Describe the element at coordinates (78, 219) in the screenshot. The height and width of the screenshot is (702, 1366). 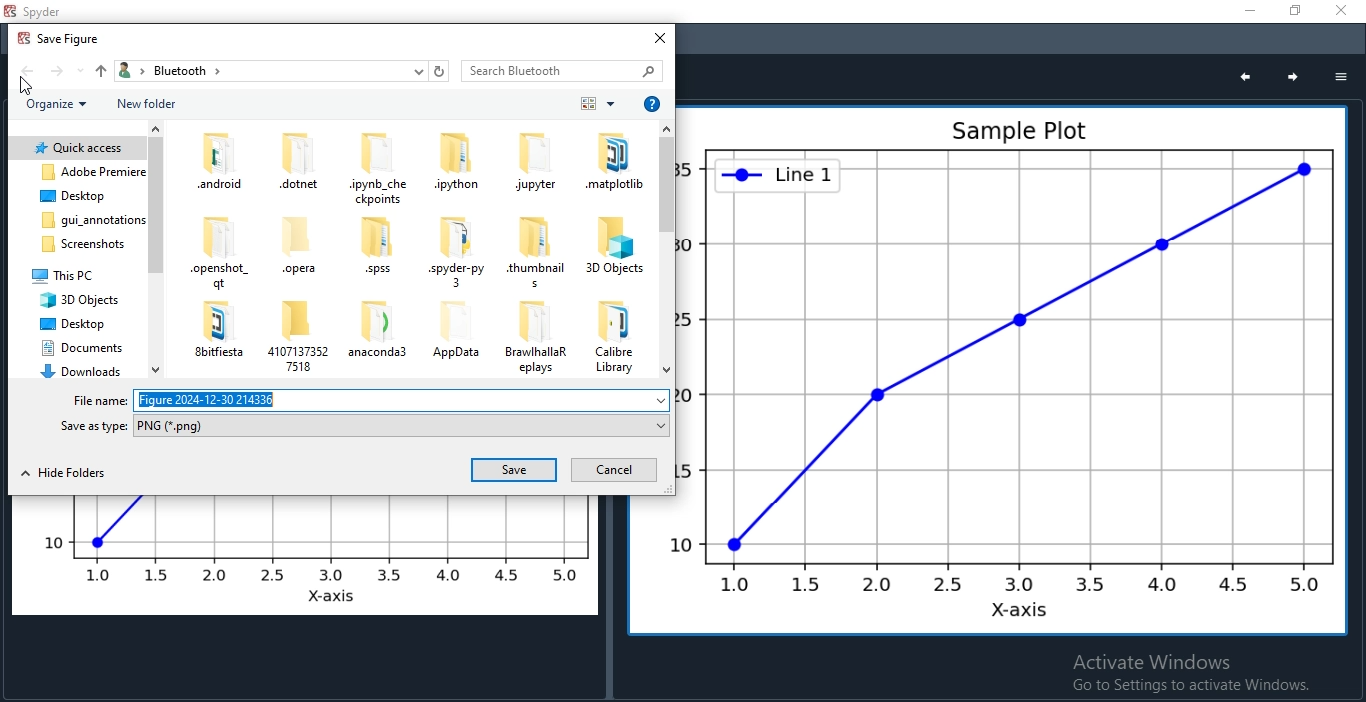
I see `folder 4` at that location.